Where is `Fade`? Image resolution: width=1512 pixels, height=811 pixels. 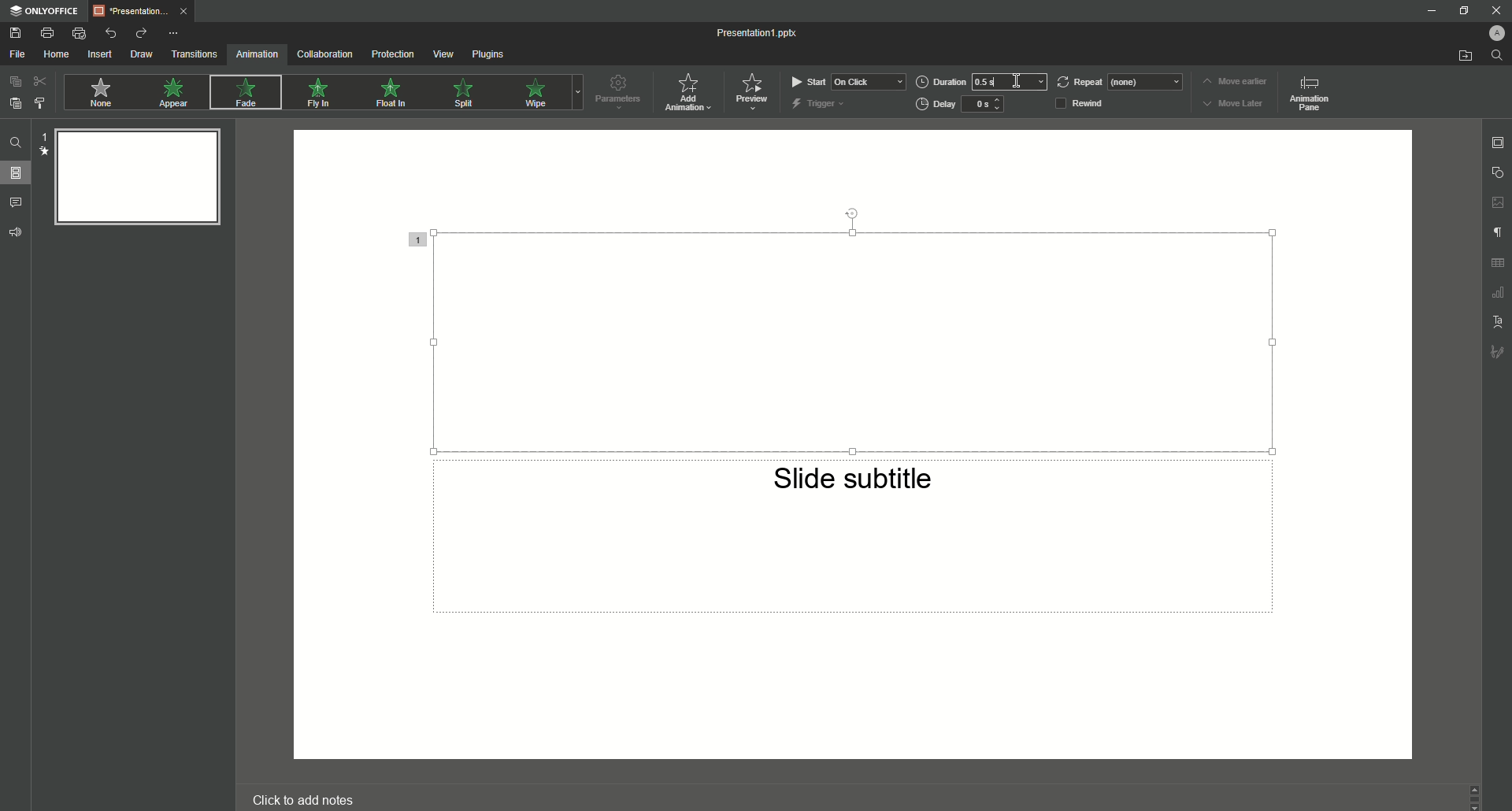
Fade is located at coordinates (243, 94).